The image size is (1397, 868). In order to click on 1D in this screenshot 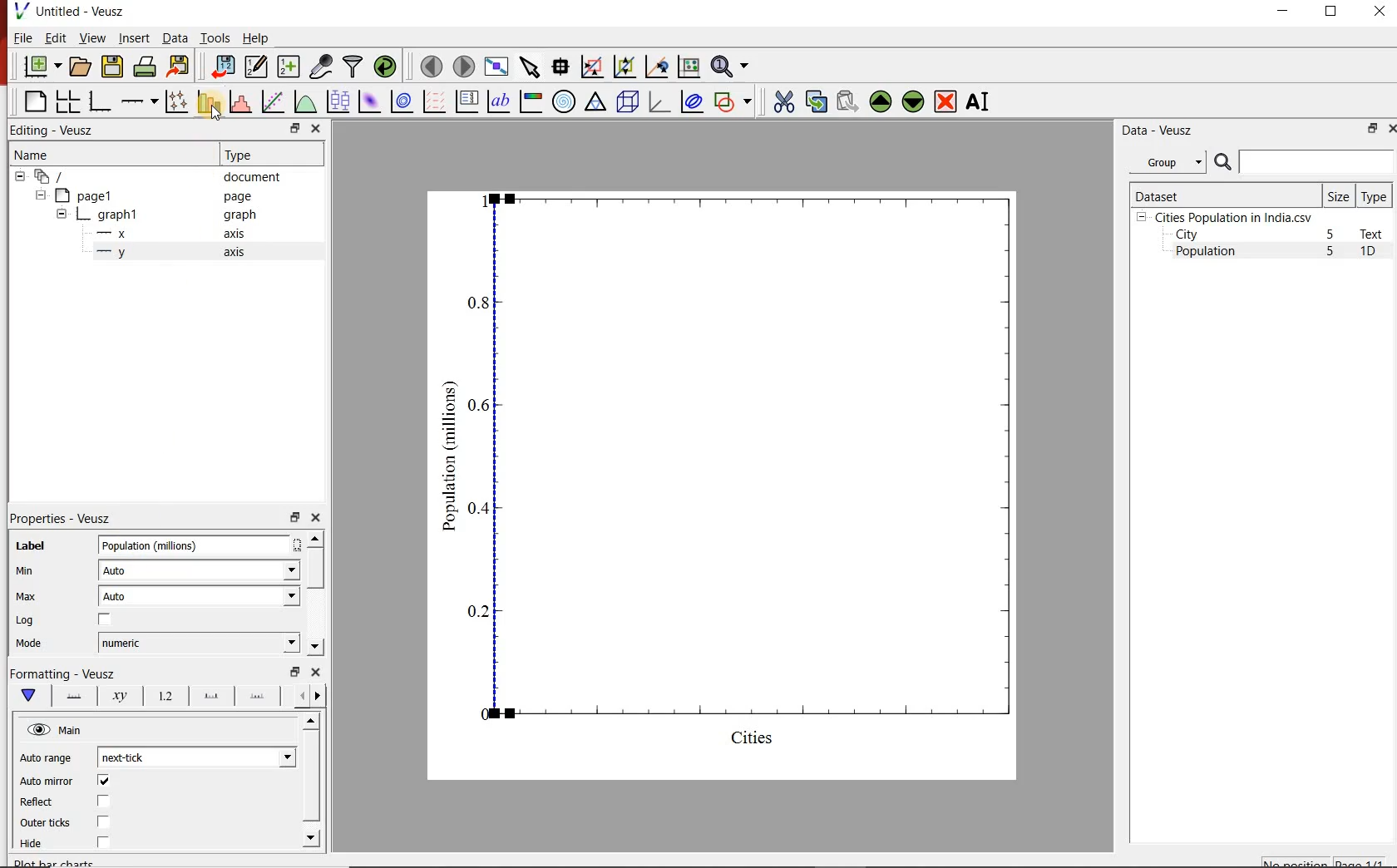, I will do `click(1375, 253)`.